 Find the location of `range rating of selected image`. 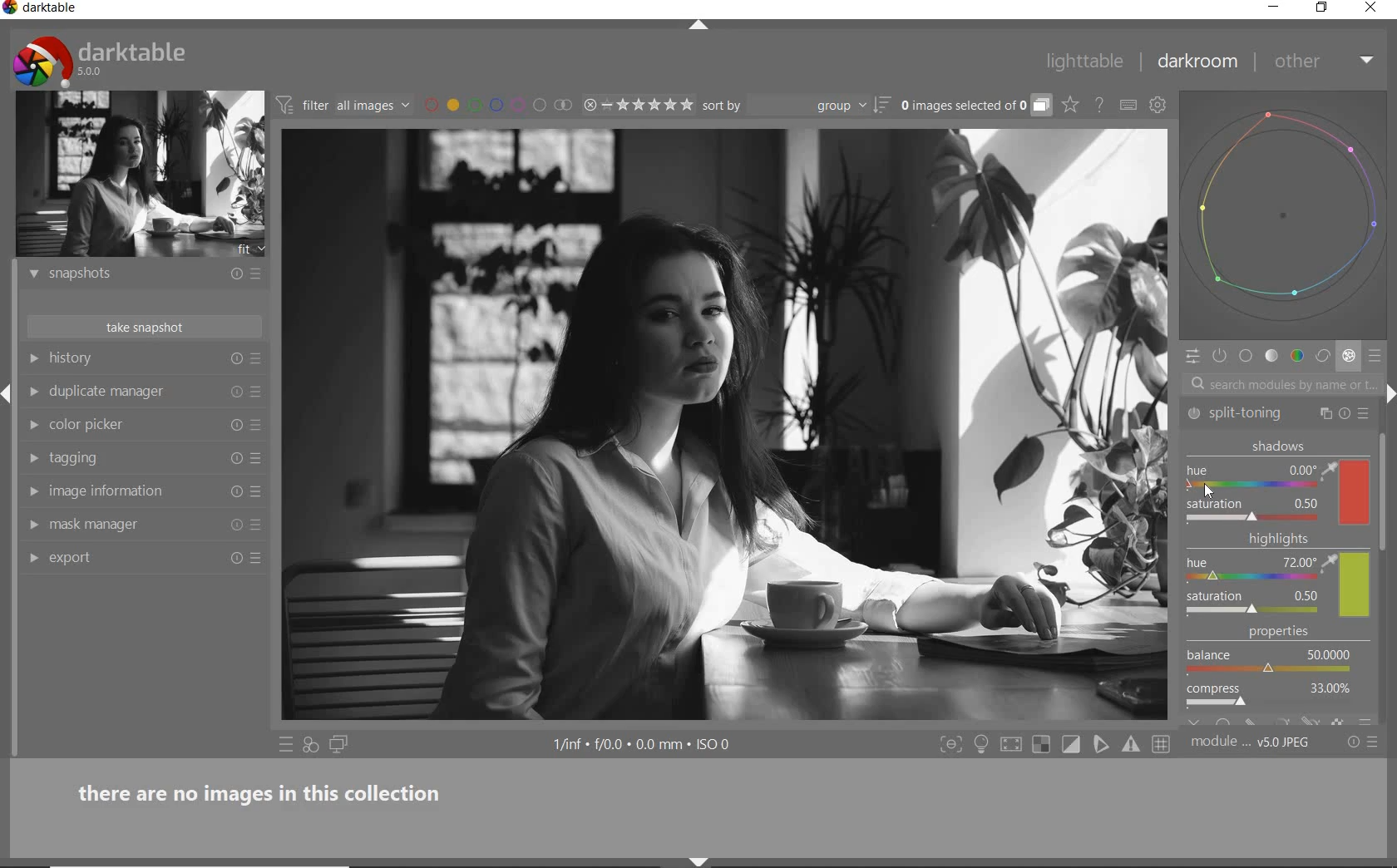

range rating of selected image is located at coordinates (637, 106).